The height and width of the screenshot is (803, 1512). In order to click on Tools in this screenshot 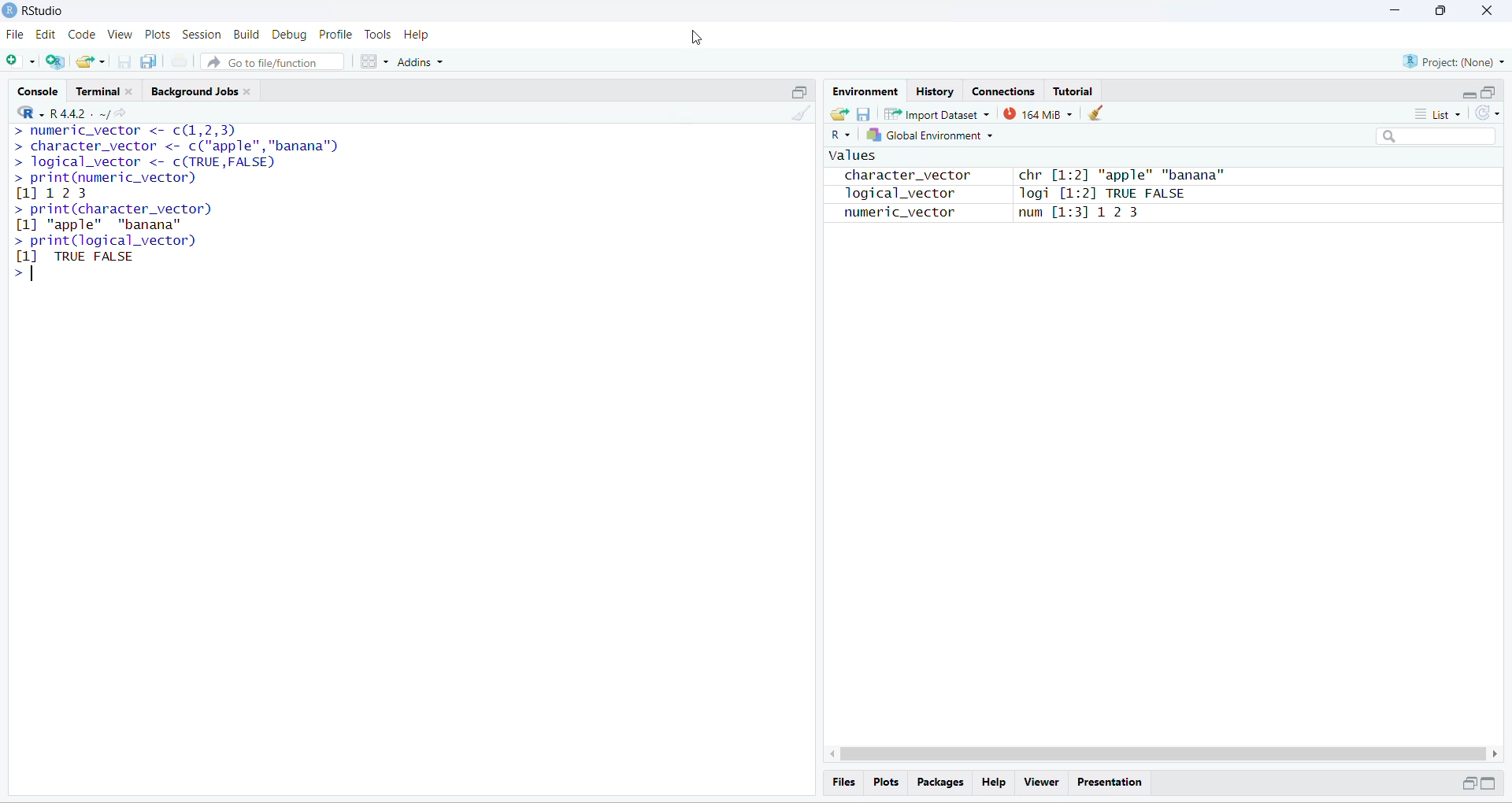, I will do `click(376, 35)`.